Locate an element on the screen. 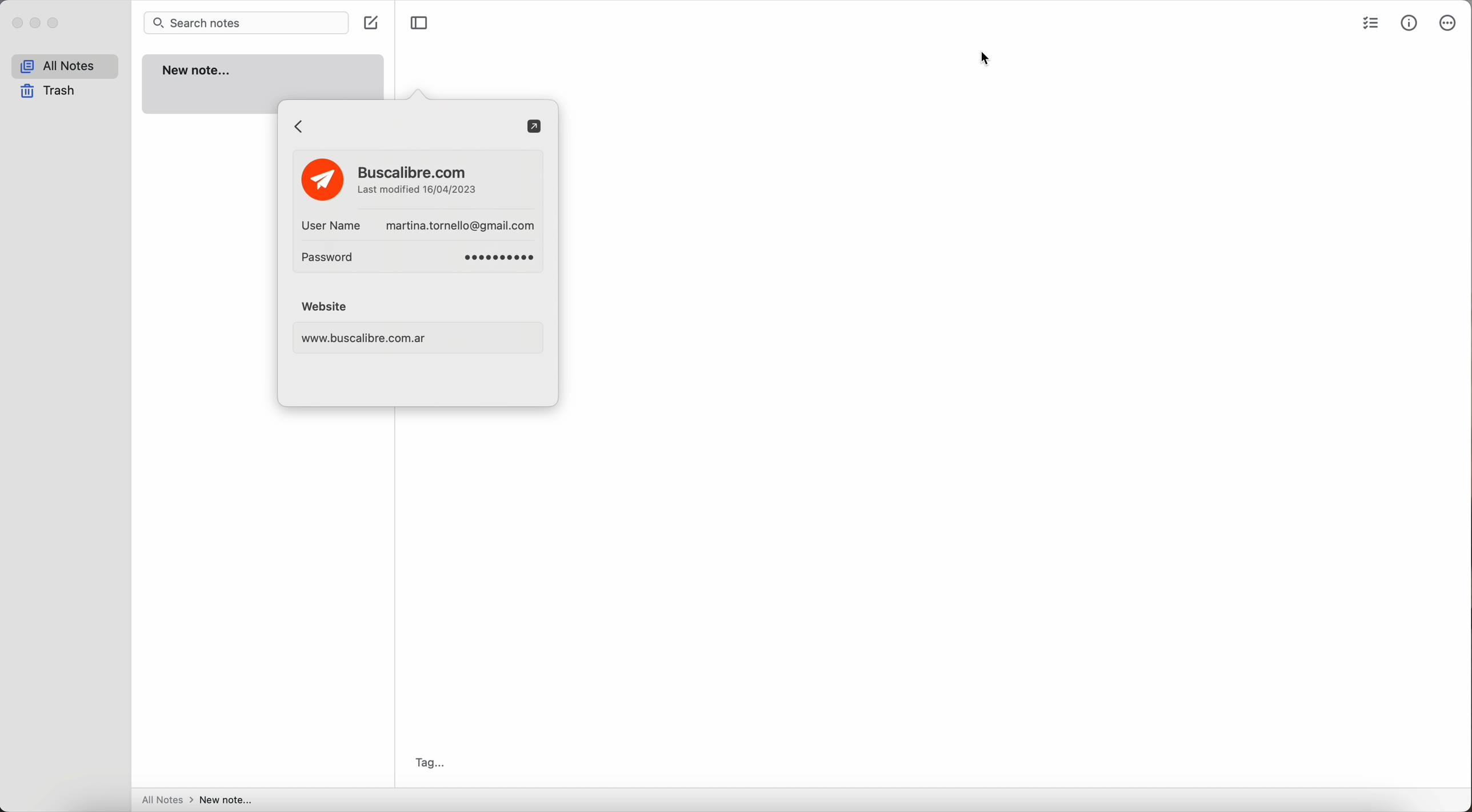  trash is located at coordinates (48, 92).